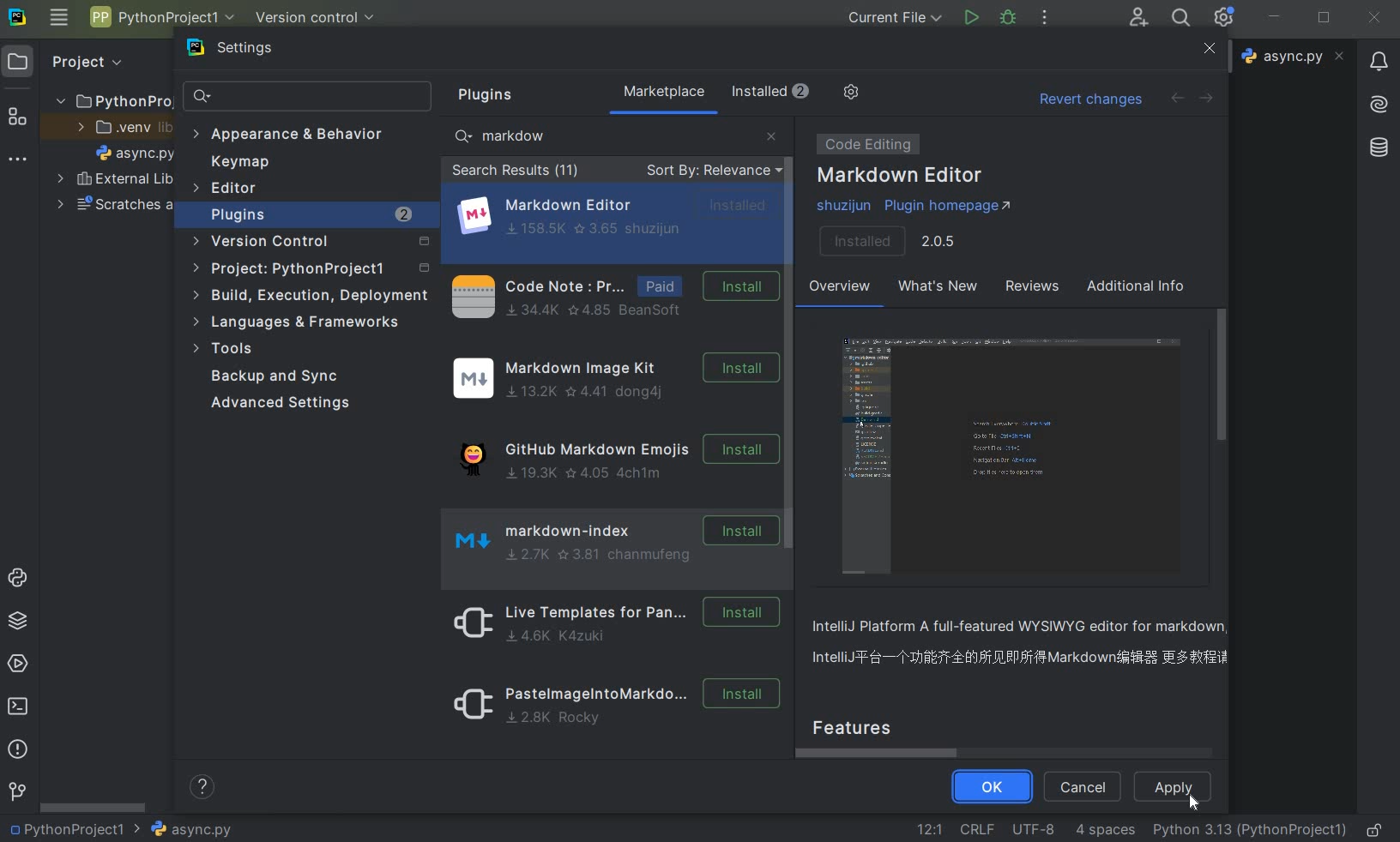  I want to click on more tool windows, so click(18, 162).